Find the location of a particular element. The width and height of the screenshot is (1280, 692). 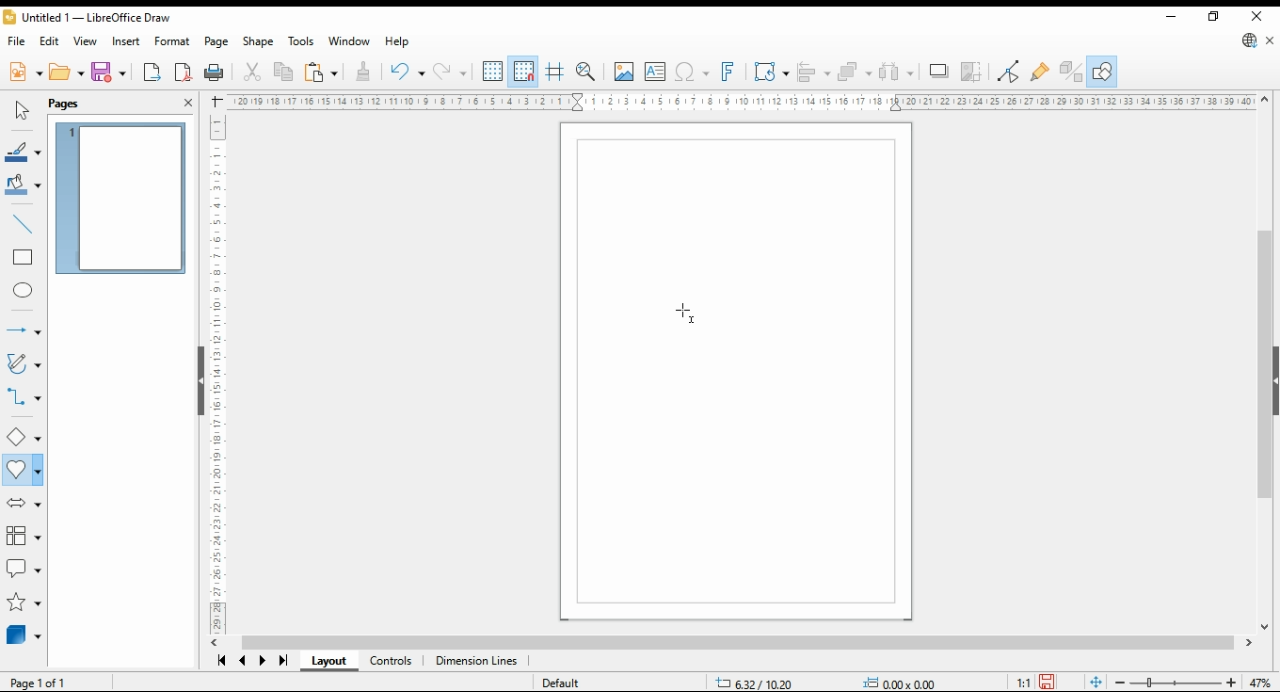

Page is located at coordinates (53, 682).